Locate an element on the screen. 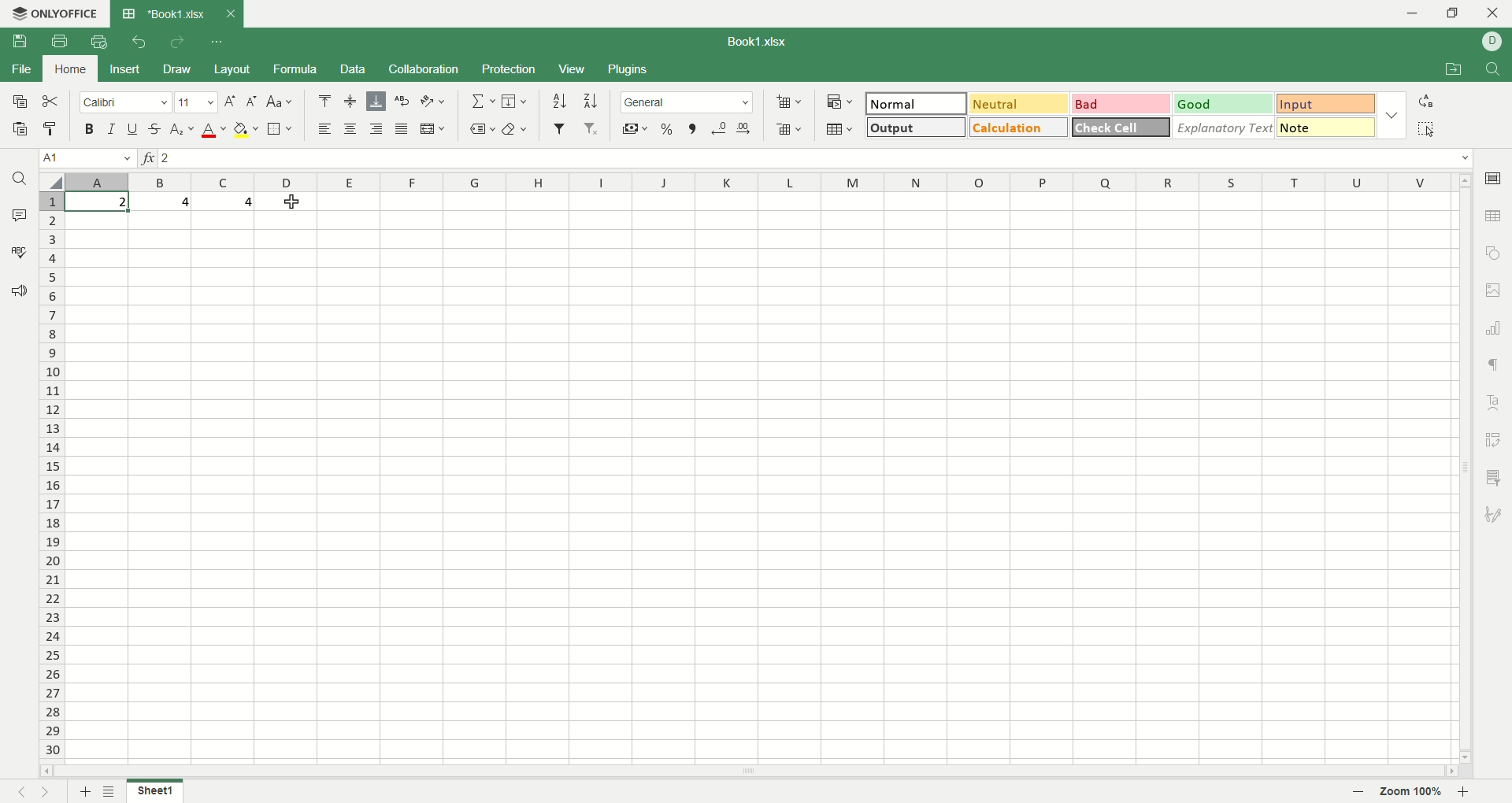 The image size is (1512, 803). align bottom is located at coordinates (376, 101).